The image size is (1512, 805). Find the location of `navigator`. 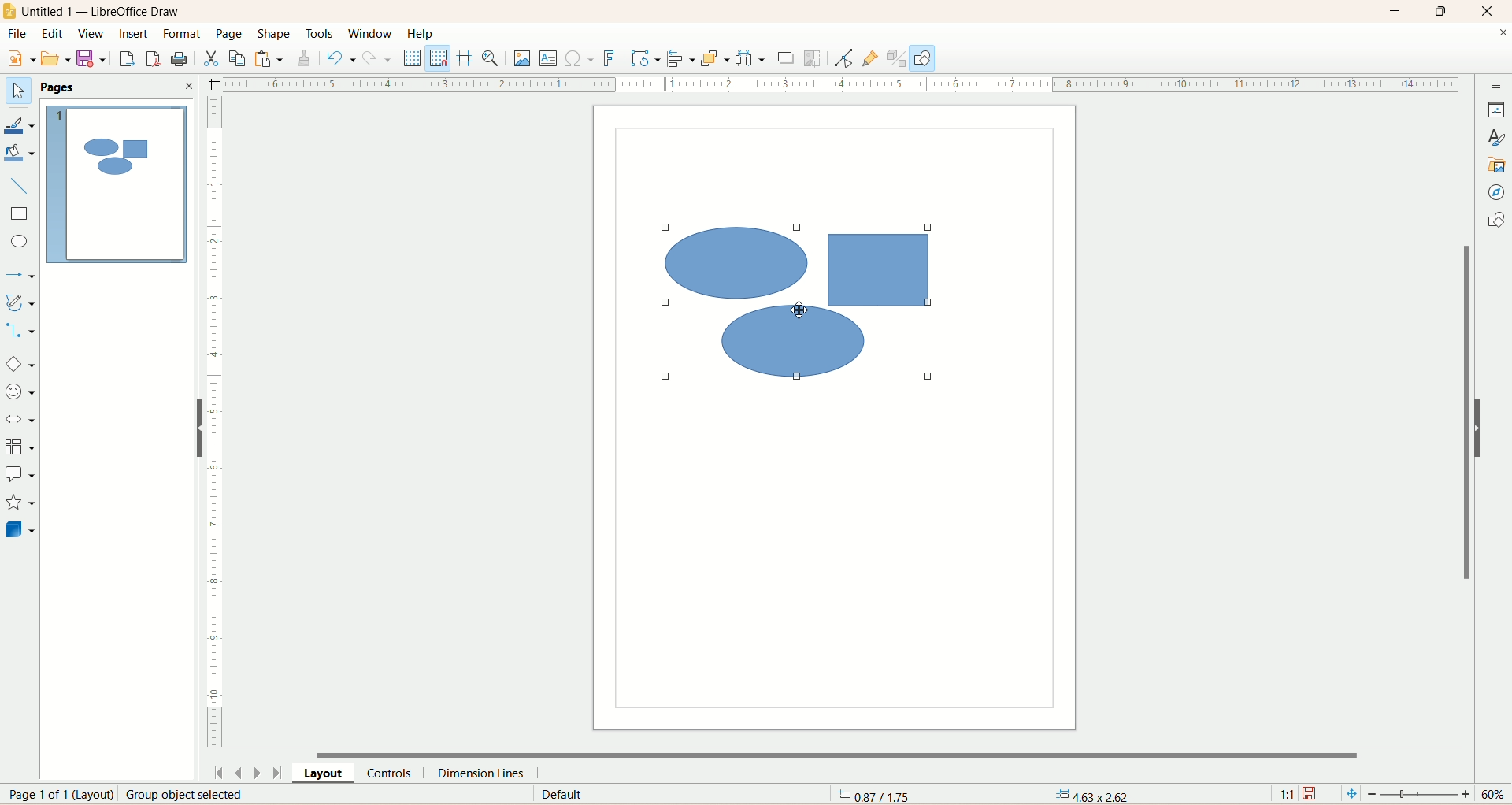

navigator is located at coordinates (1497, 193).